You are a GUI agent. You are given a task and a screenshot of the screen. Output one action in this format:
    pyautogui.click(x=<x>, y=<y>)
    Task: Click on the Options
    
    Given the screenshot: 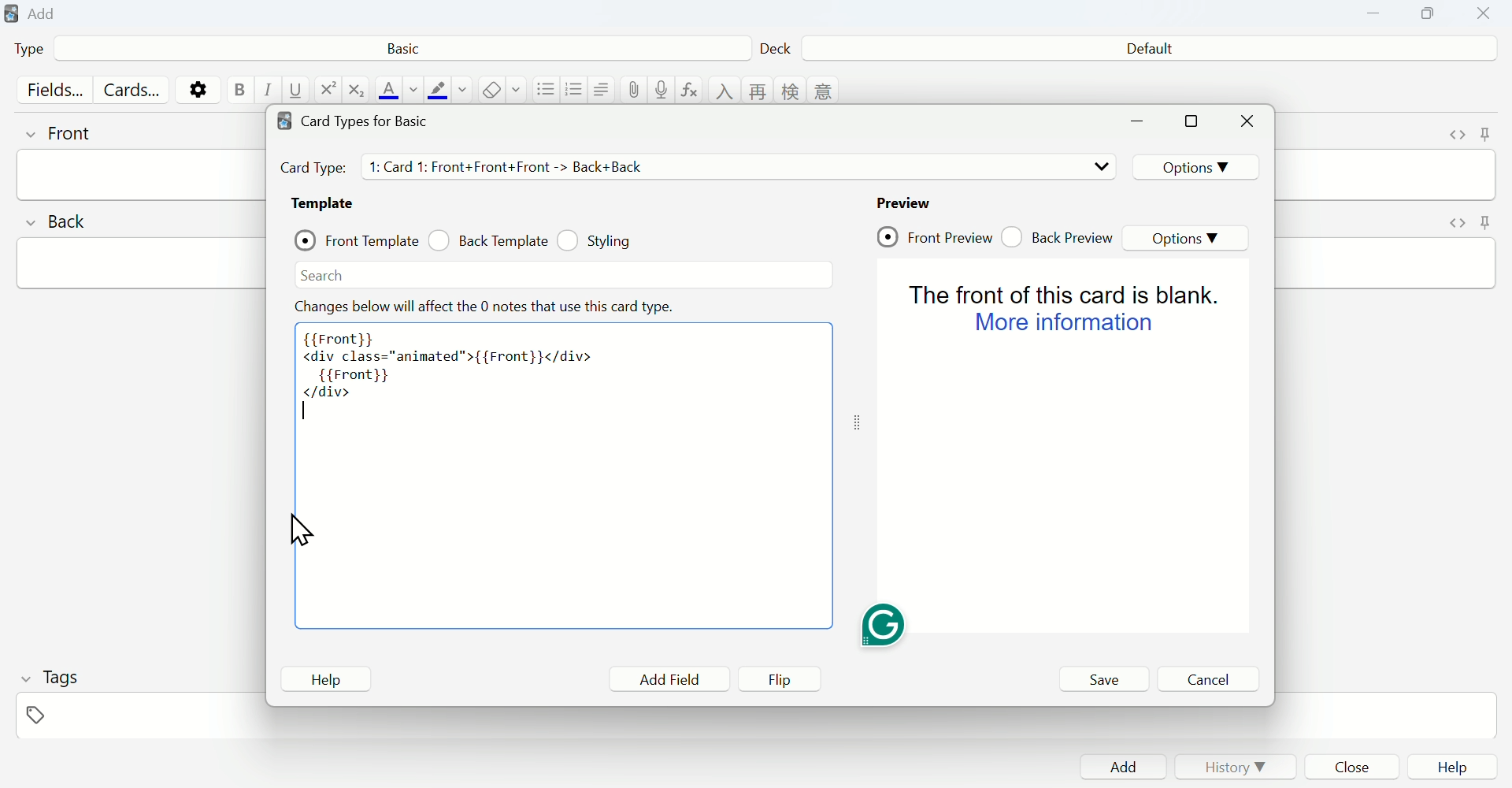 What is the action you would take?
    pyautogui.click(x=1198, y=167)
    